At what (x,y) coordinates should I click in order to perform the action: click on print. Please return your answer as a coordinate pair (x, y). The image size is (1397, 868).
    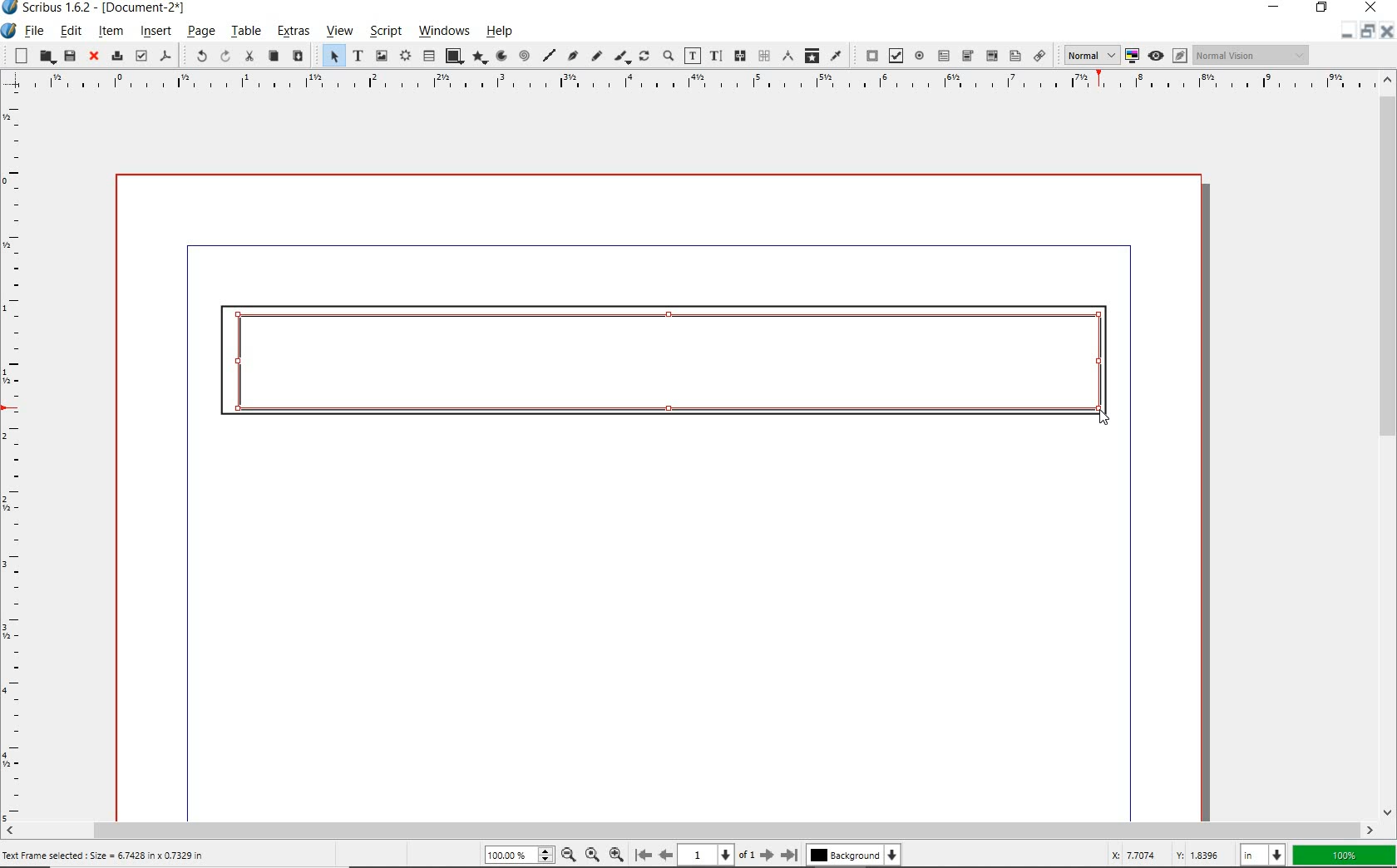
    Looking at the image, I should click on (116, 56).